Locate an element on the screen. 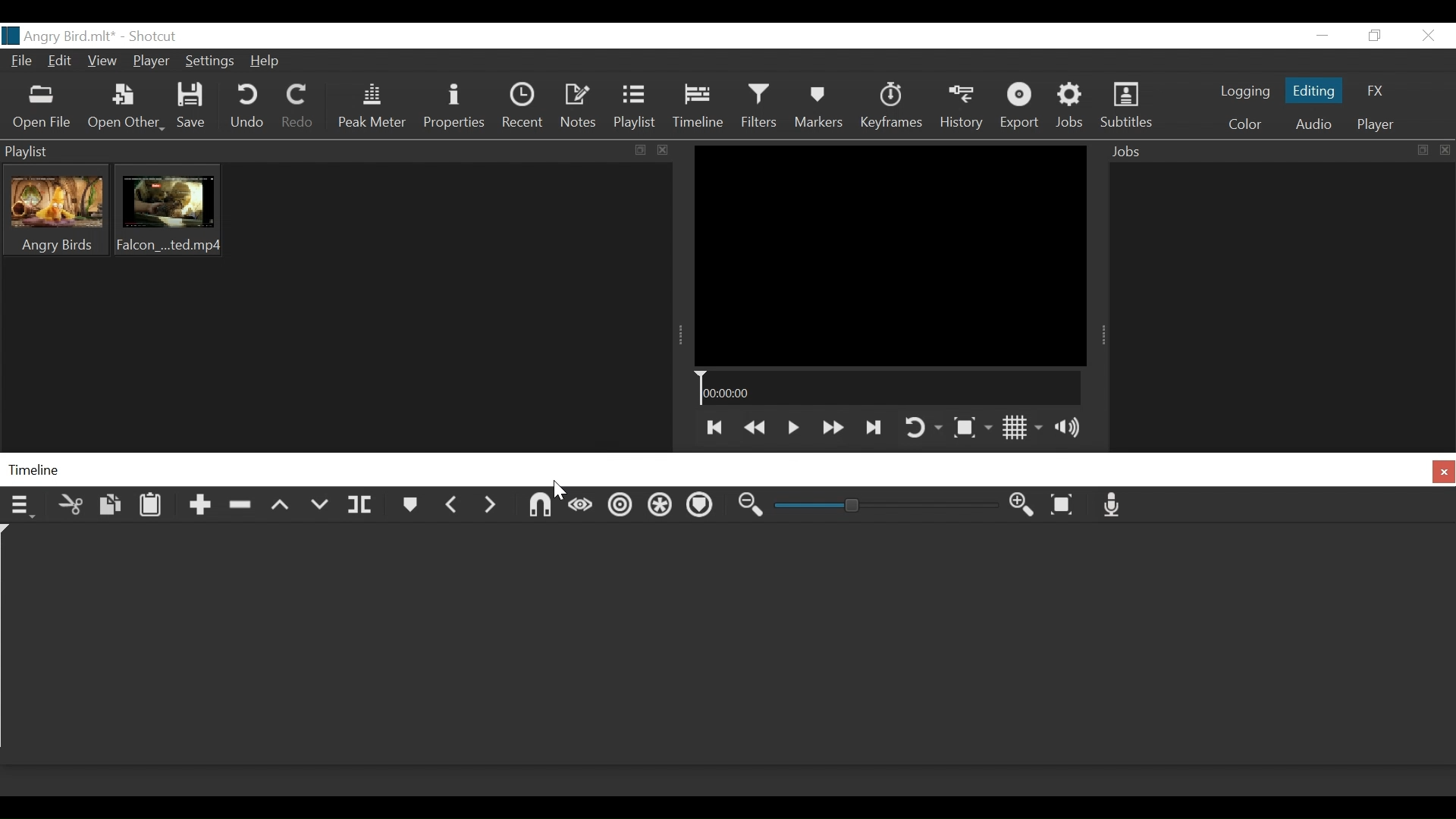 Image resolution: width=1456 pixels, height=819 pixels. Markers is located at coordinates (821, 107).